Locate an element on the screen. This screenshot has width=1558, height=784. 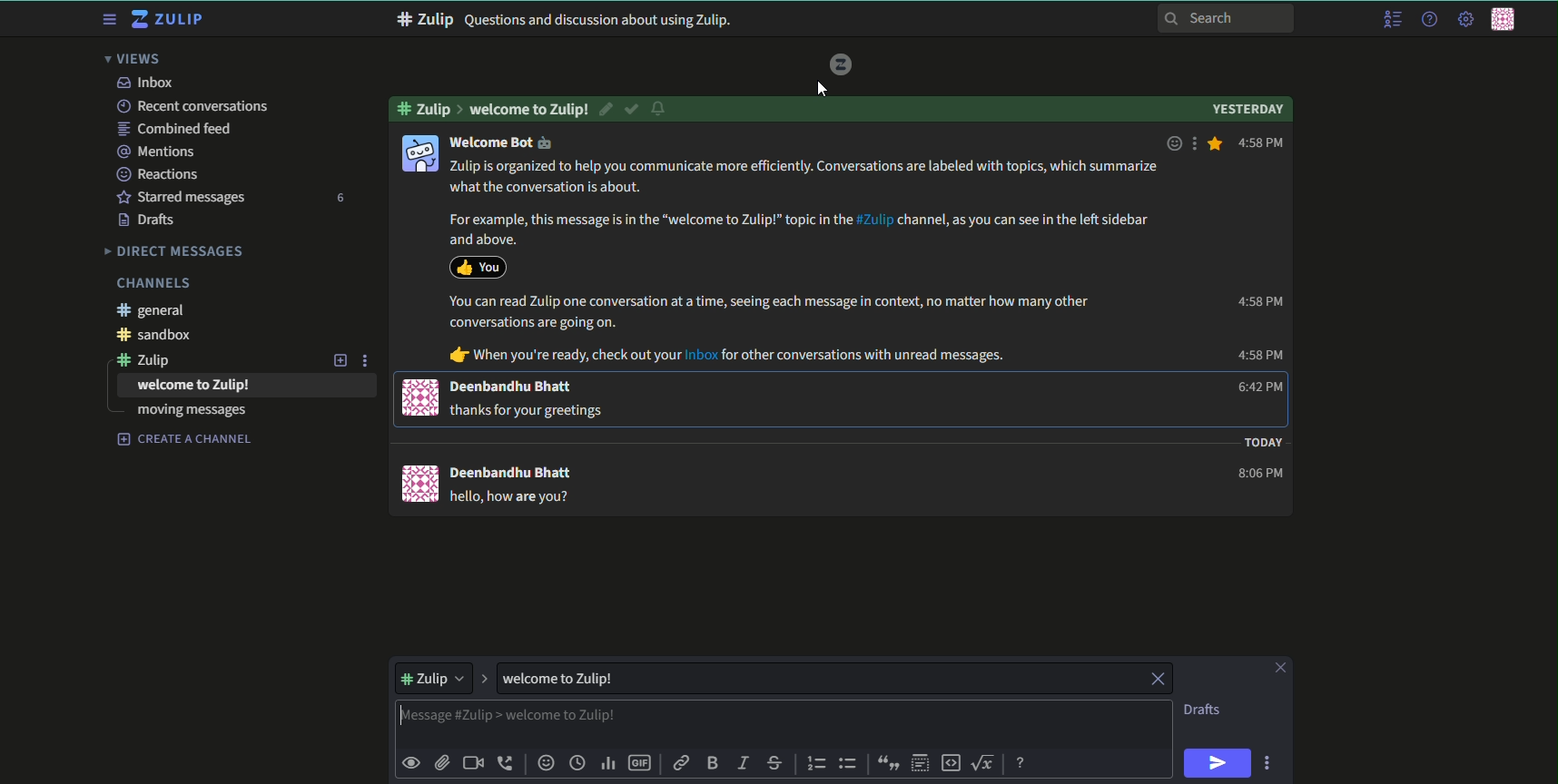
Deenbandhu Bhatt is located at coordinates (512, 471).